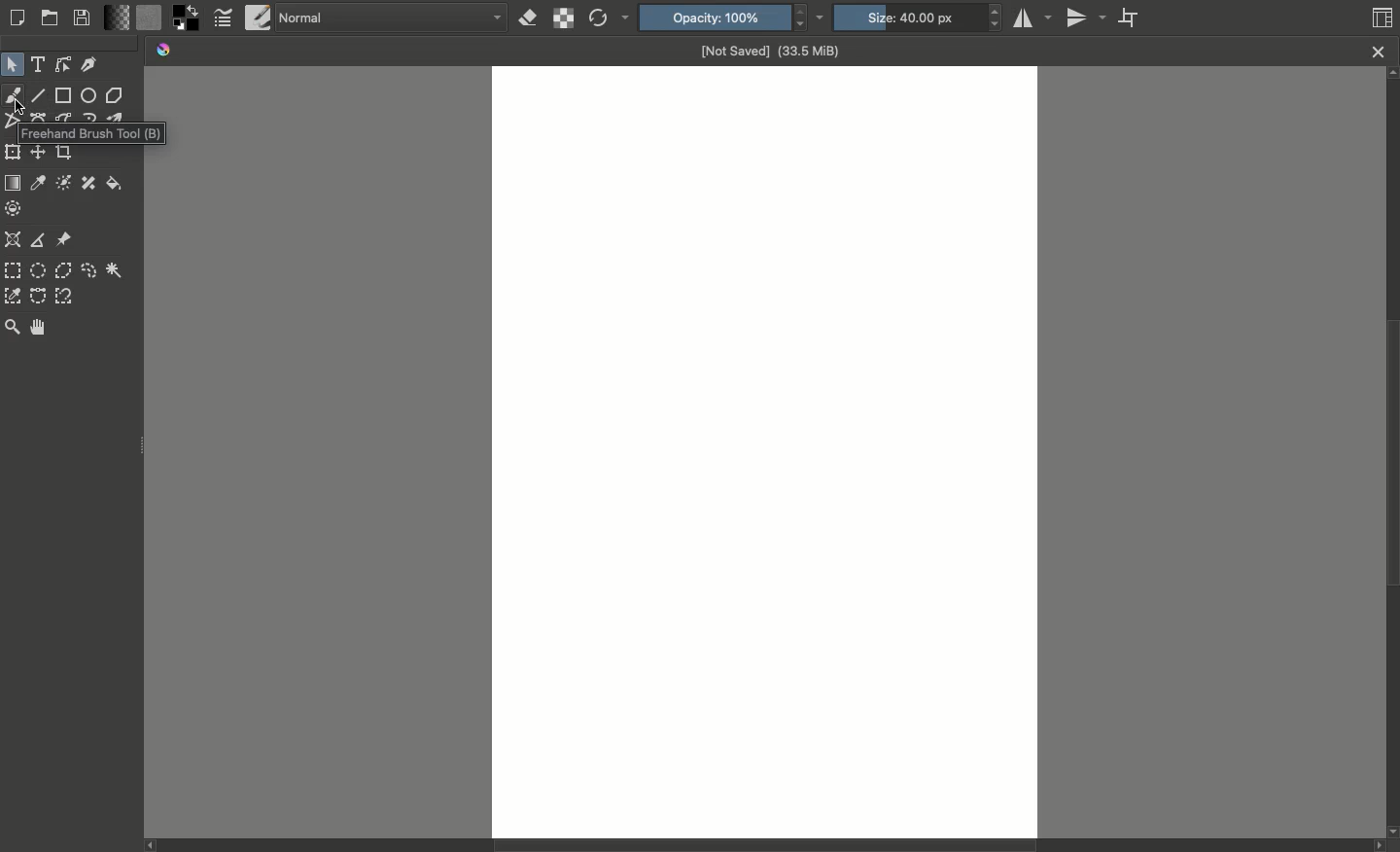 The height and width of the screenshot is (852, 1400). Describe the element at coordinates (610, 18) in the screenshot. I see `Reload original preset` at that location.